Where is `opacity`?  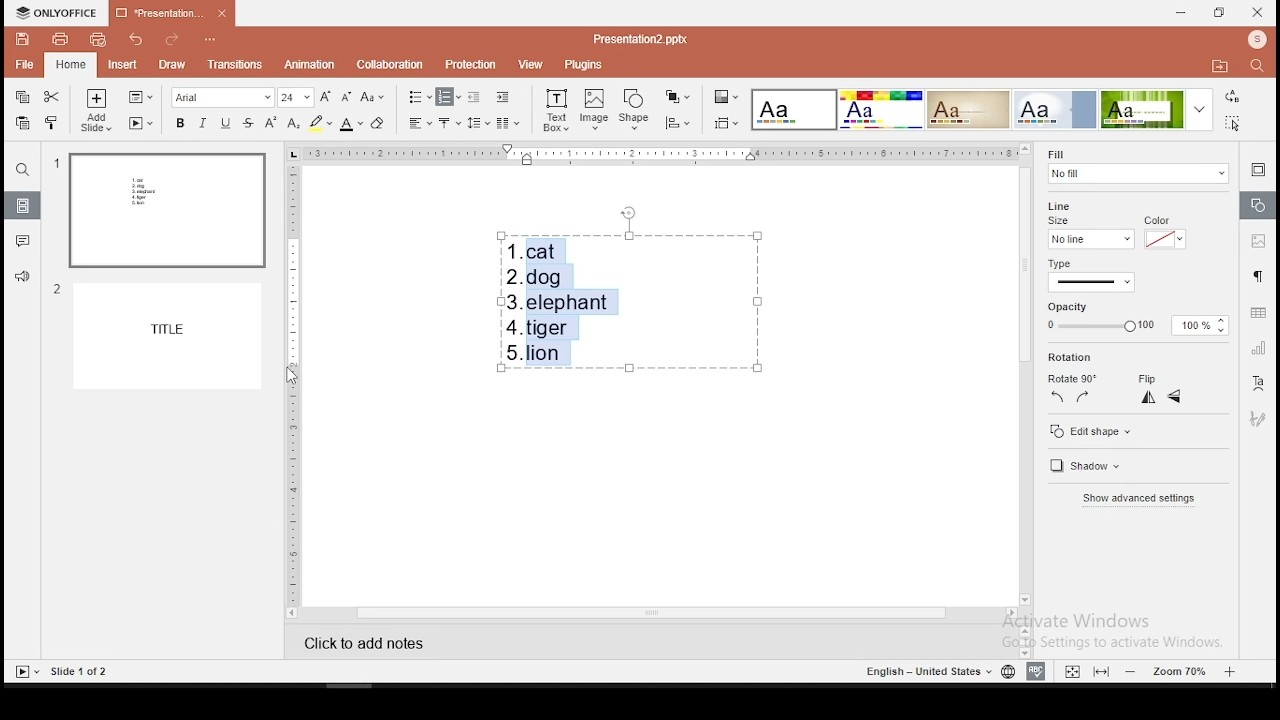
opacity is located at coordinates (1137, 318).